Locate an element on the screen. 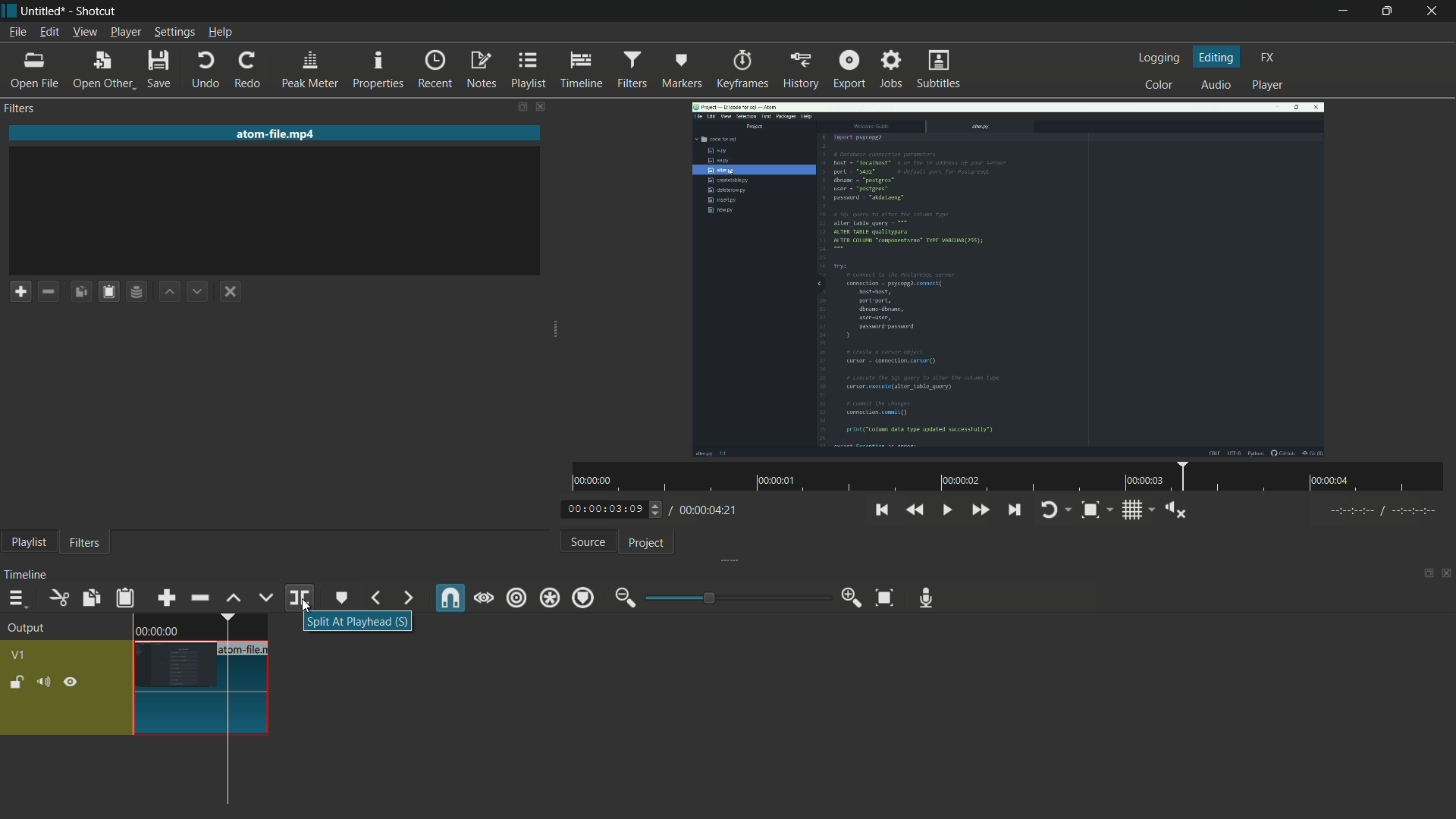  zoom out is located at coordinates (625, 595).